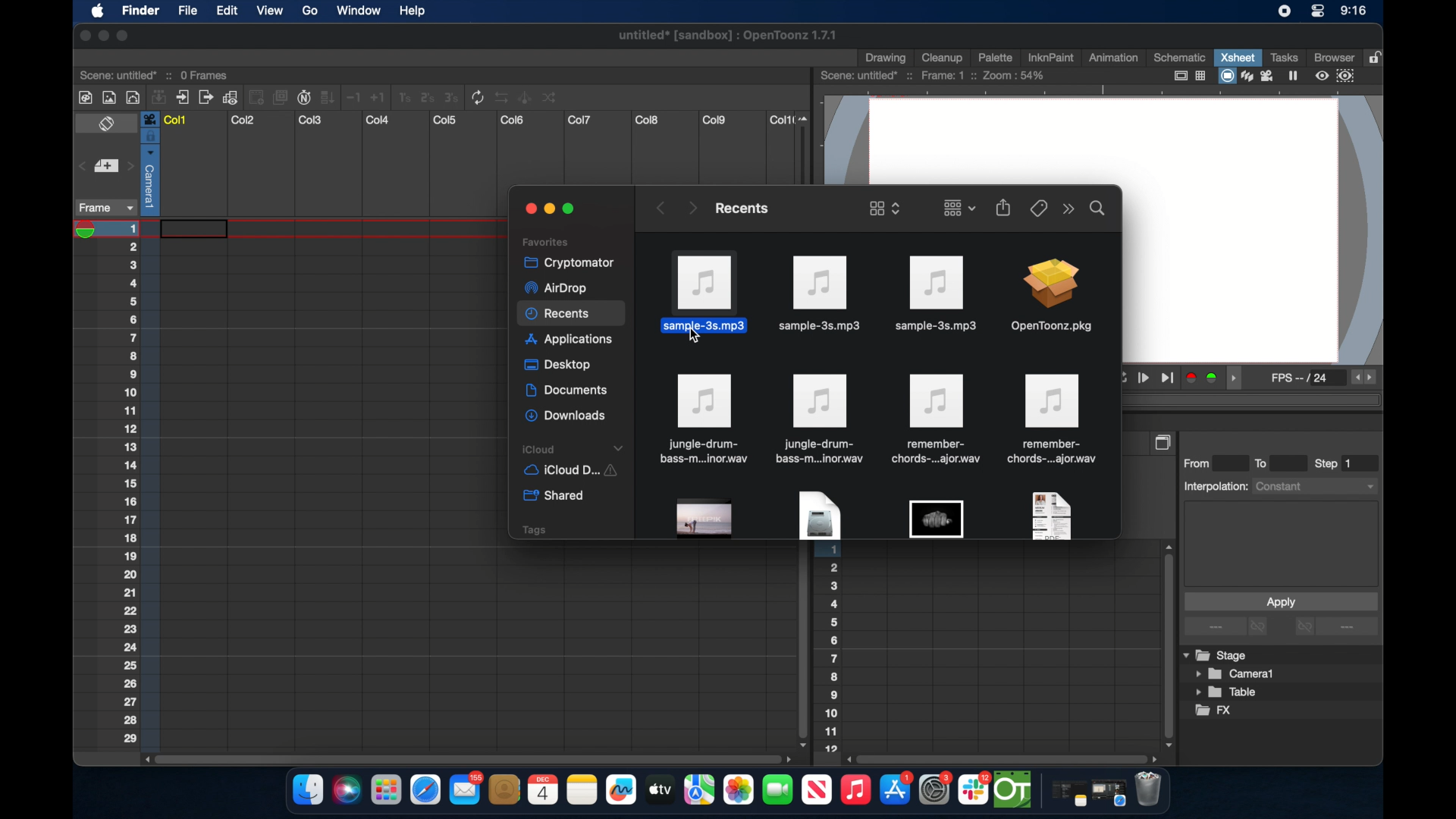 The width and height of the screenshot is (1456, 819). I want to click on slack, so click(974, 790).